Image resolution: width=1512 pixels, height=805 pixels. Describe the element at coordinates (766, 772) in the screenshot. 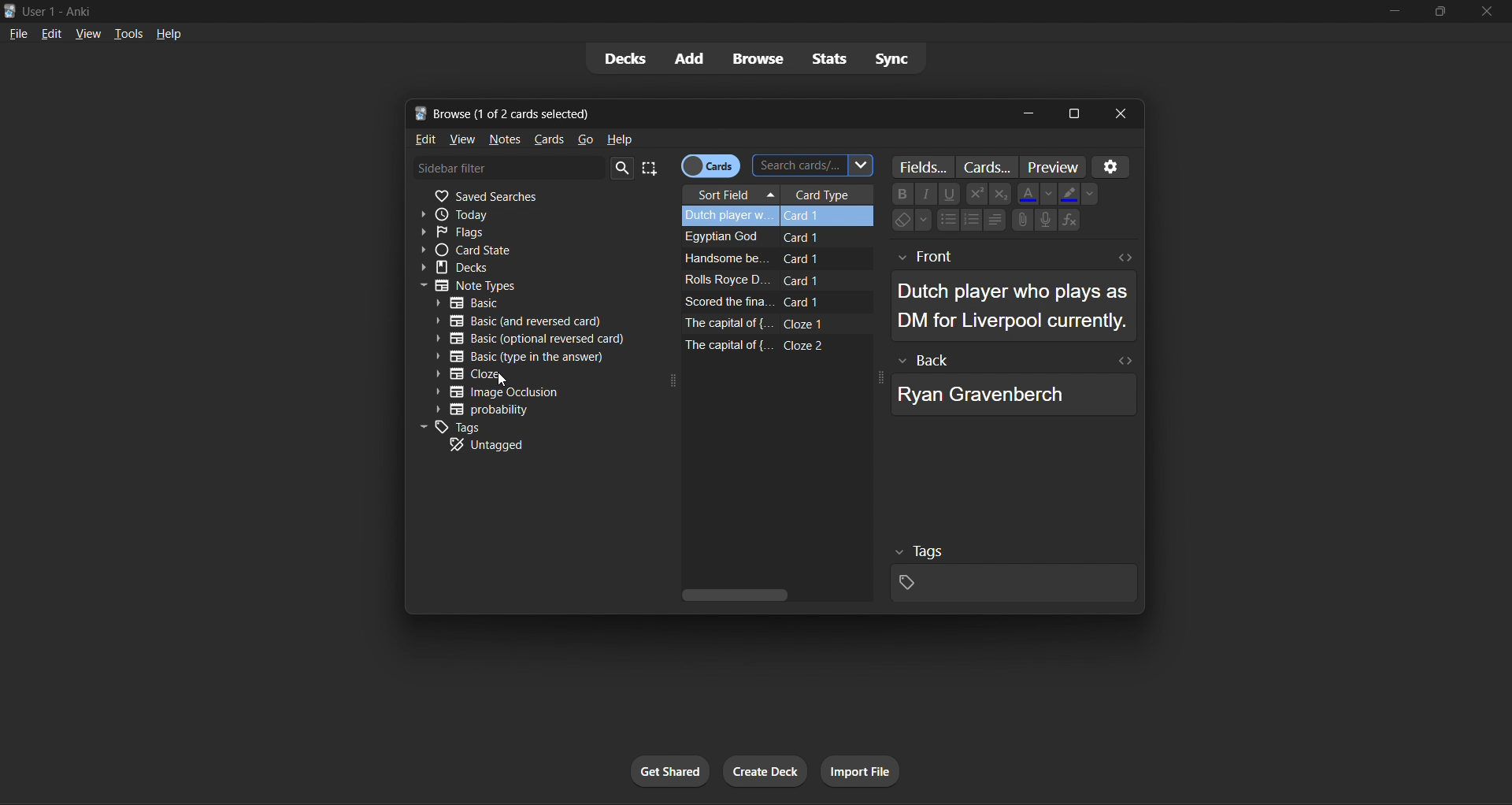

I see `create deck` at that location.